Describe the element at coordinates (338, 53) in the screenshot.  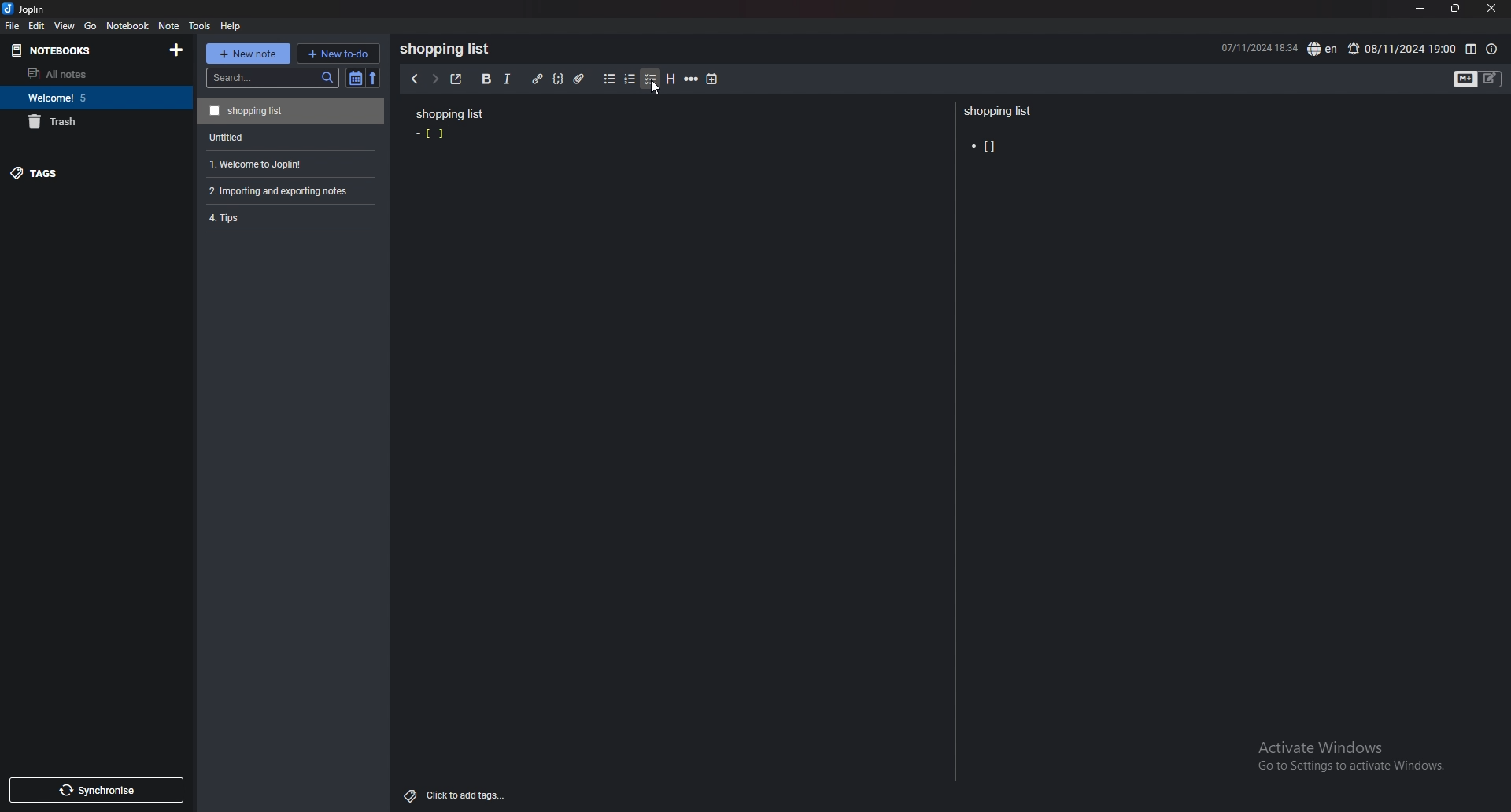
I see `new todo` at that location.